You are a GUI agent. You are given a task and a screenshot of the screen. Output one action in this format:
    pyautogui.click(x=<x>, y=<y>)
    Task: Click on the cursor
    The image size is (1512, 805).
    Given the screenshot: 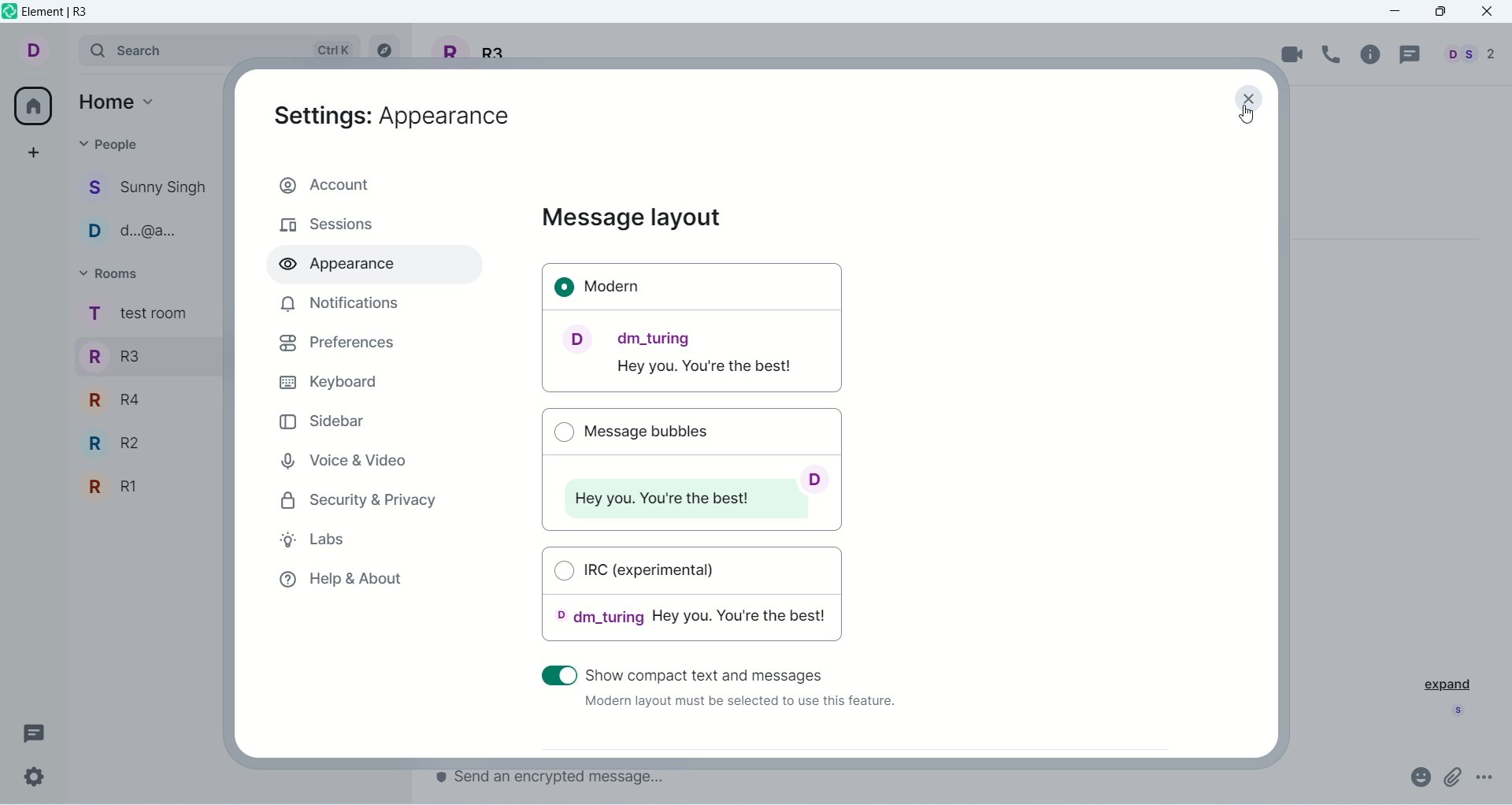 What is the action you would take?
    pyautogui.click(x=1241, y=117)
    